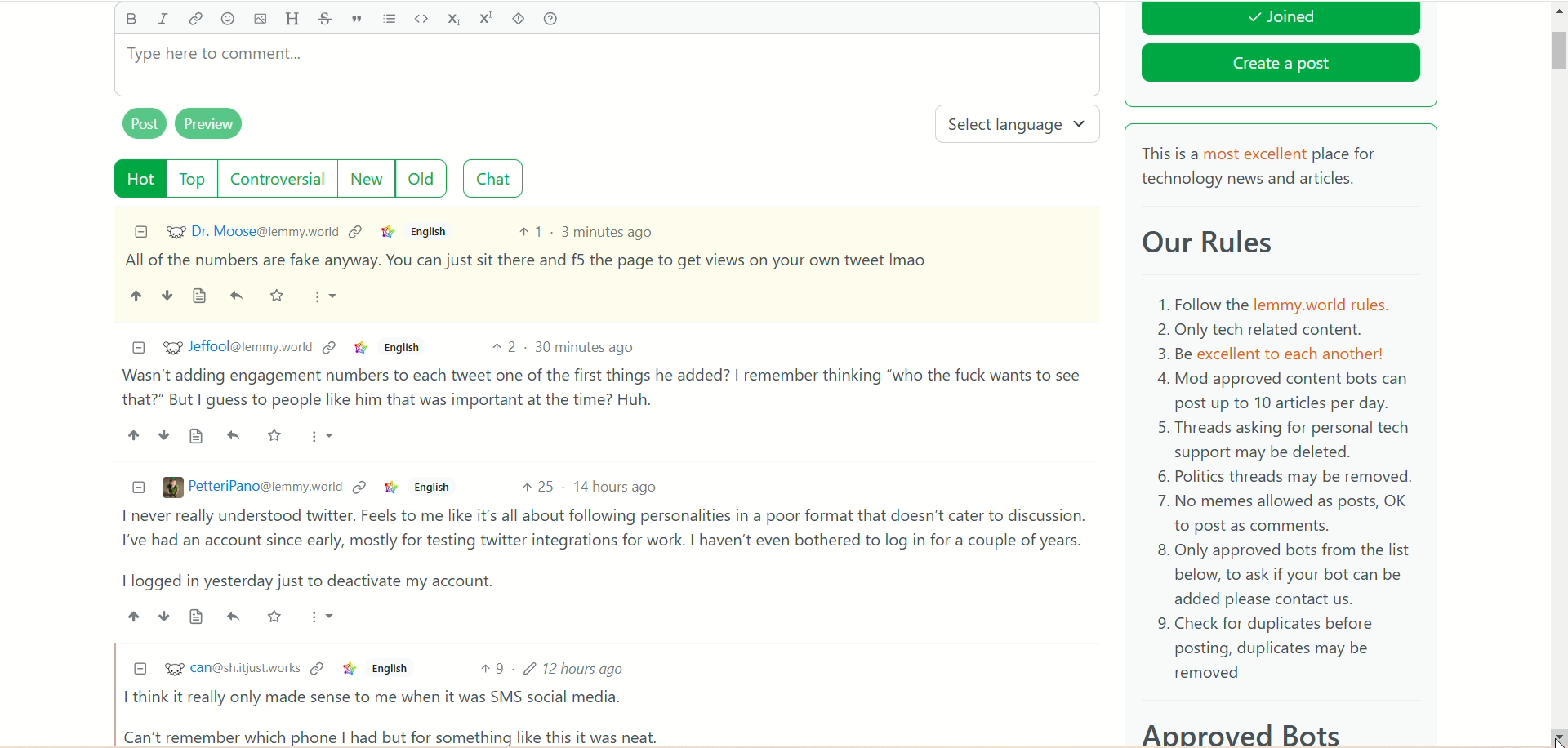 This screenshot has height=748, width=1568. I want to click on new, so click(364, 179).